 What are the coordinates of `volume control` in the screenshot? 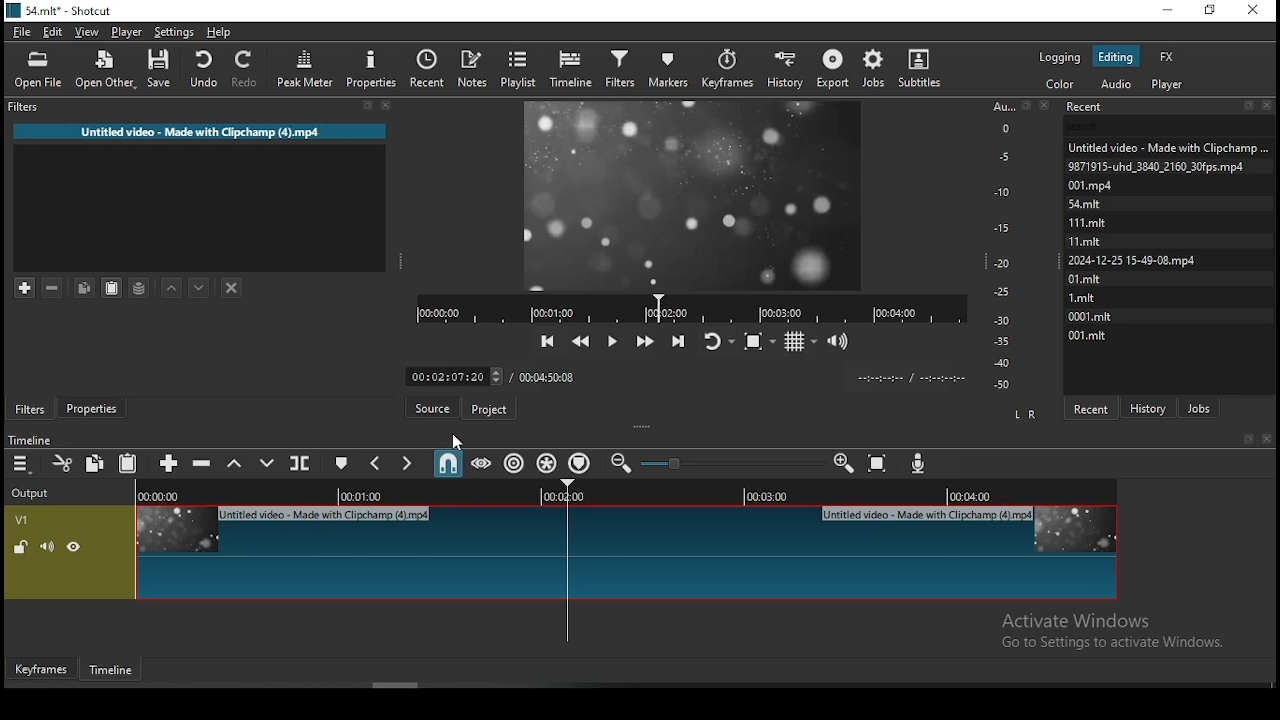 It's located at (839, 342).